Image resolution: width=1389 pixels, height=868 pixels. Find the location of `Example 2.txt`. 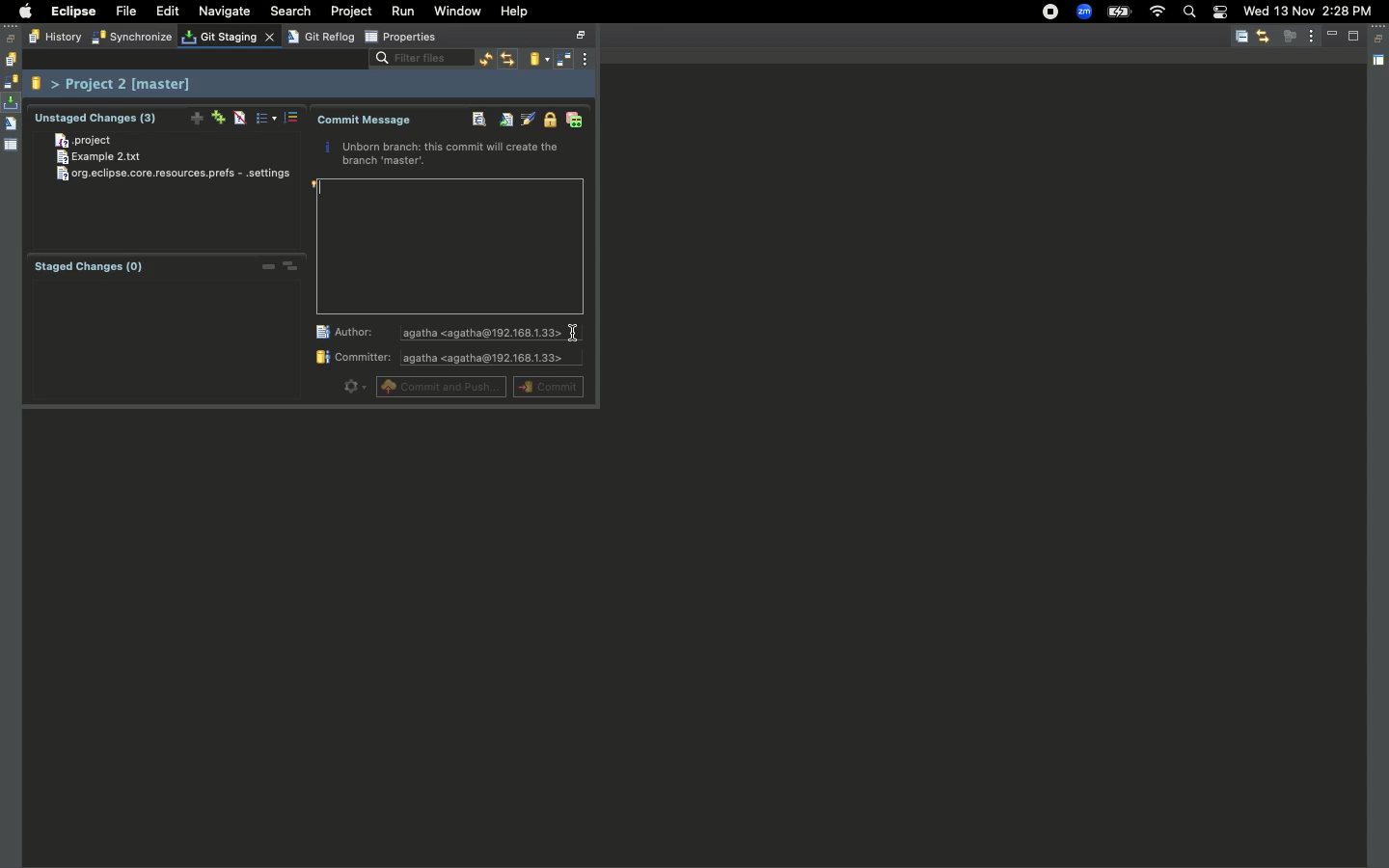

Example 2.txt is located at coordinates (111, 157).